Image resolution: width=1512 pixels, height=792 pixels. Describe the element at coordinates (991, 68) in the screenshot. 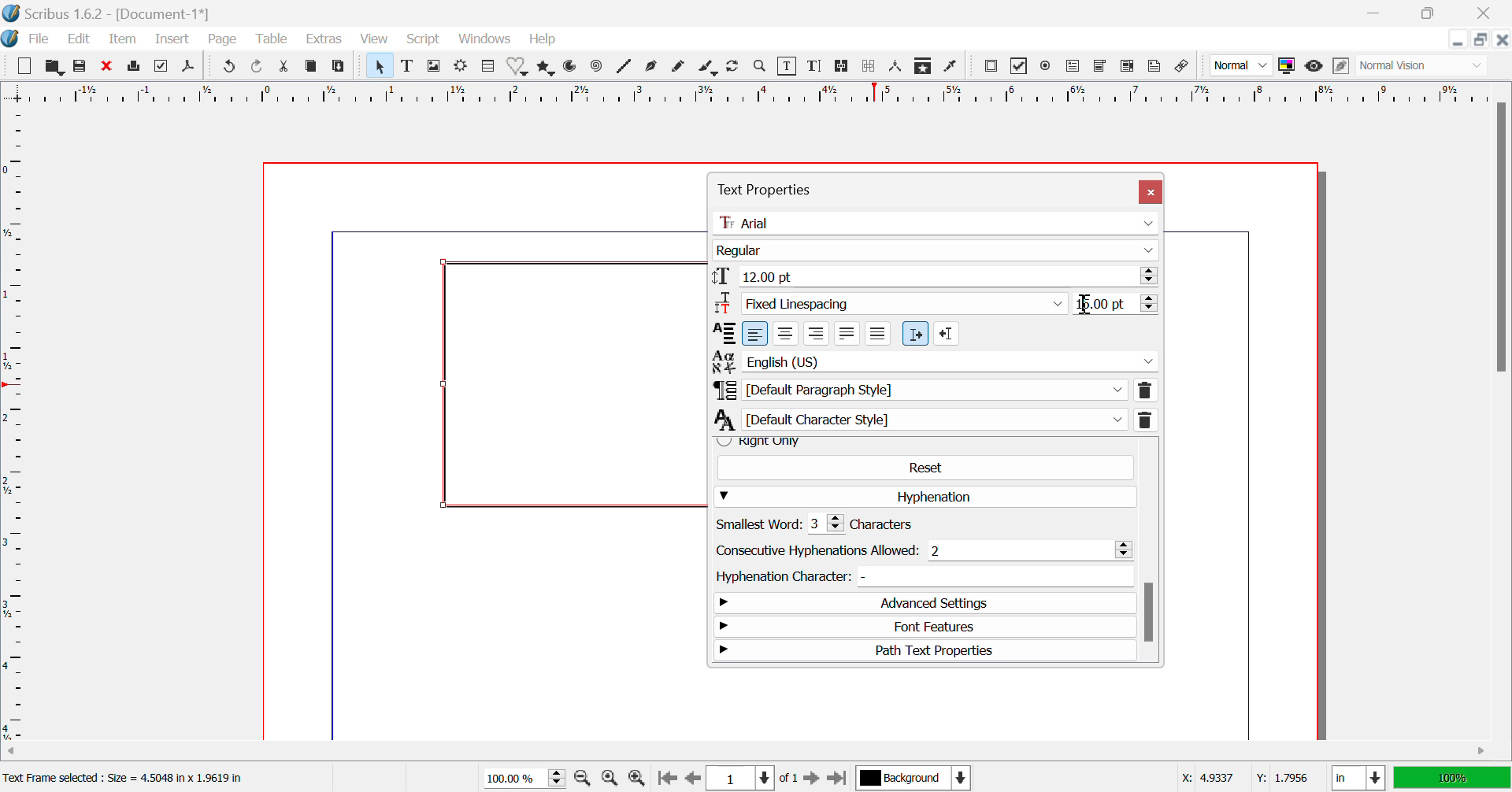

I see `Pdf Push button` at that location.